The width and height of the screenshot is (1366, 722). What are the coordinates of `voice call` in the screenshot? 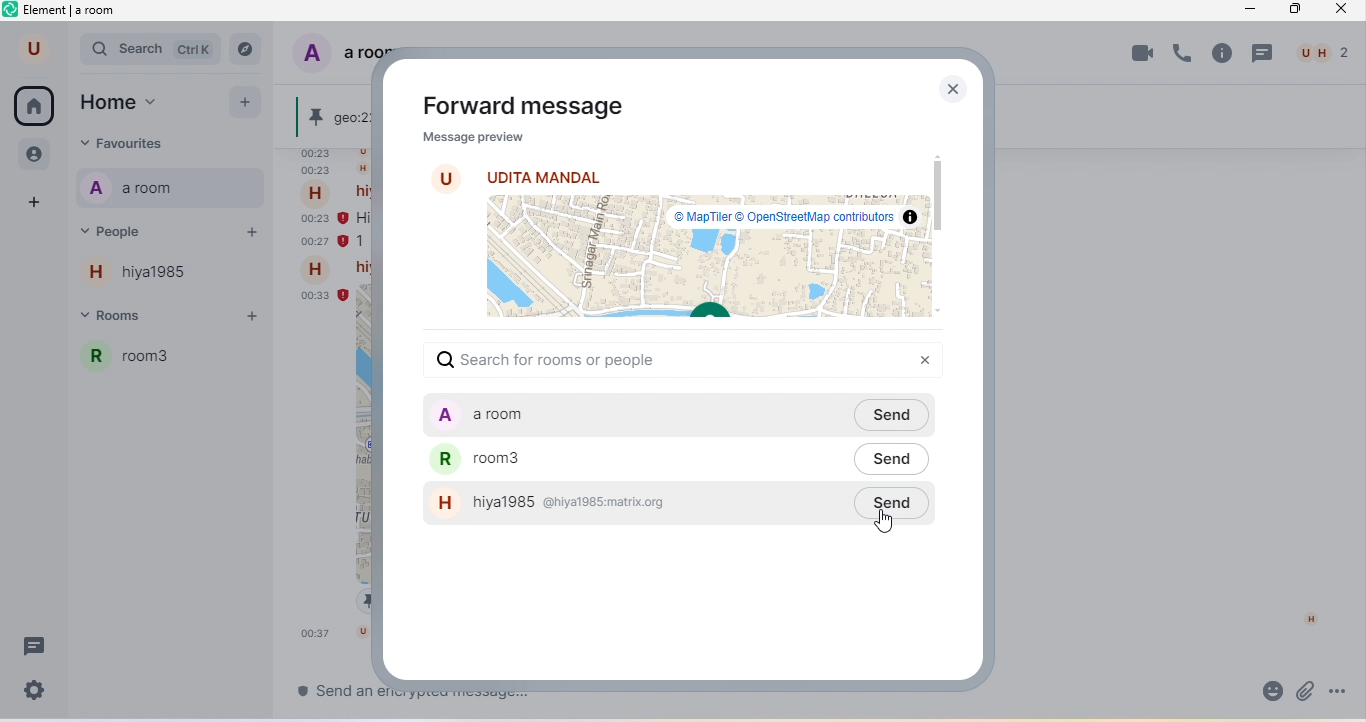 It's located at (1185, 56).